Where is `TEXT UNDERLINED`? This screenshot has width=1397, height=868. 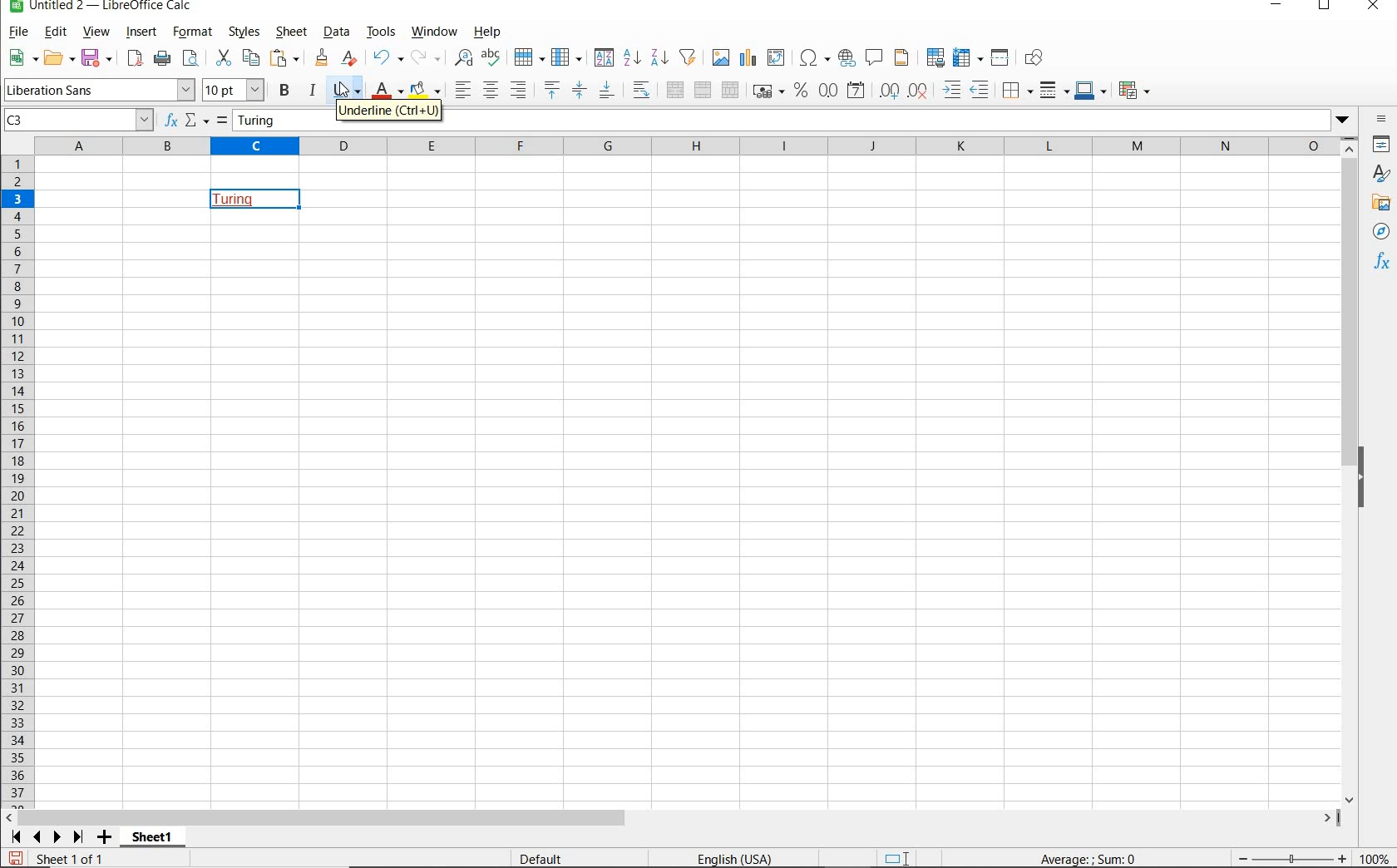 TEXT UNDERLINED is located at coordinates (254, 200).